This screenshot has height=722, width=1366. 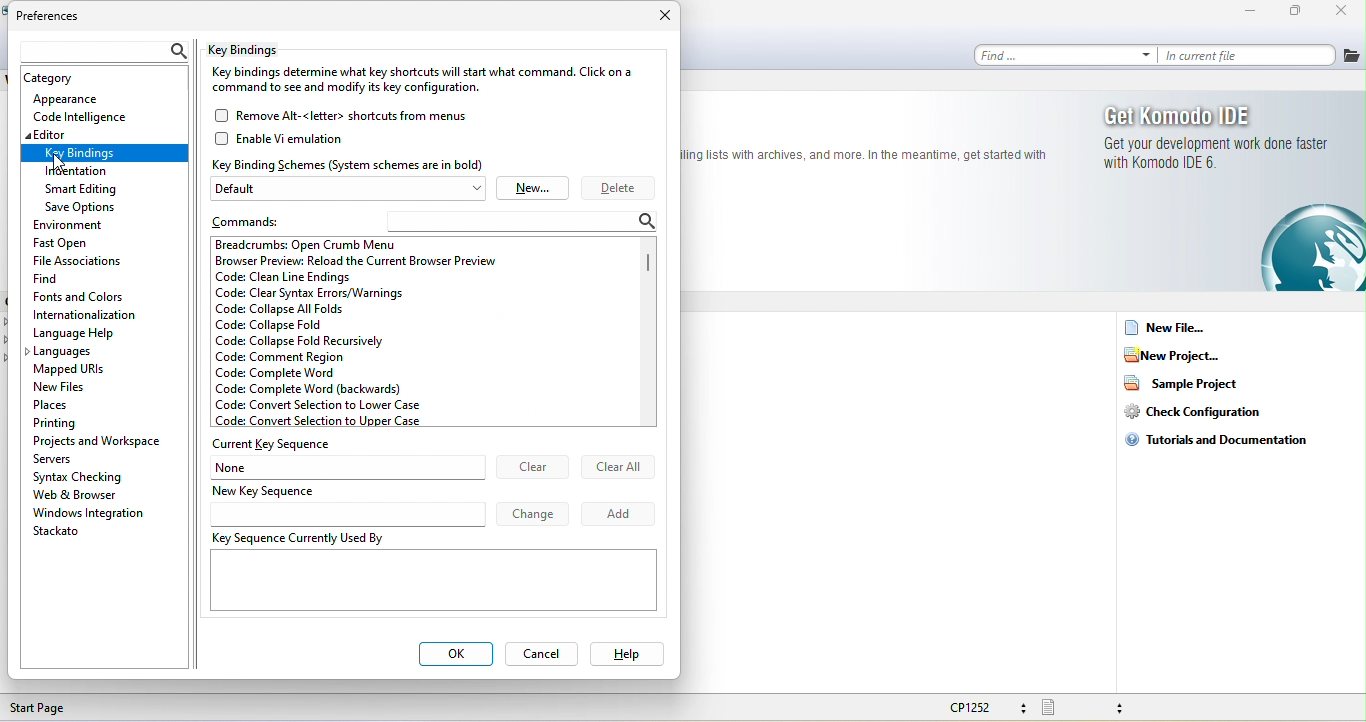 What do you see at coordinates (315, 388) in the screenshot?
I see `code complete word` at bounding box center [315, 388].